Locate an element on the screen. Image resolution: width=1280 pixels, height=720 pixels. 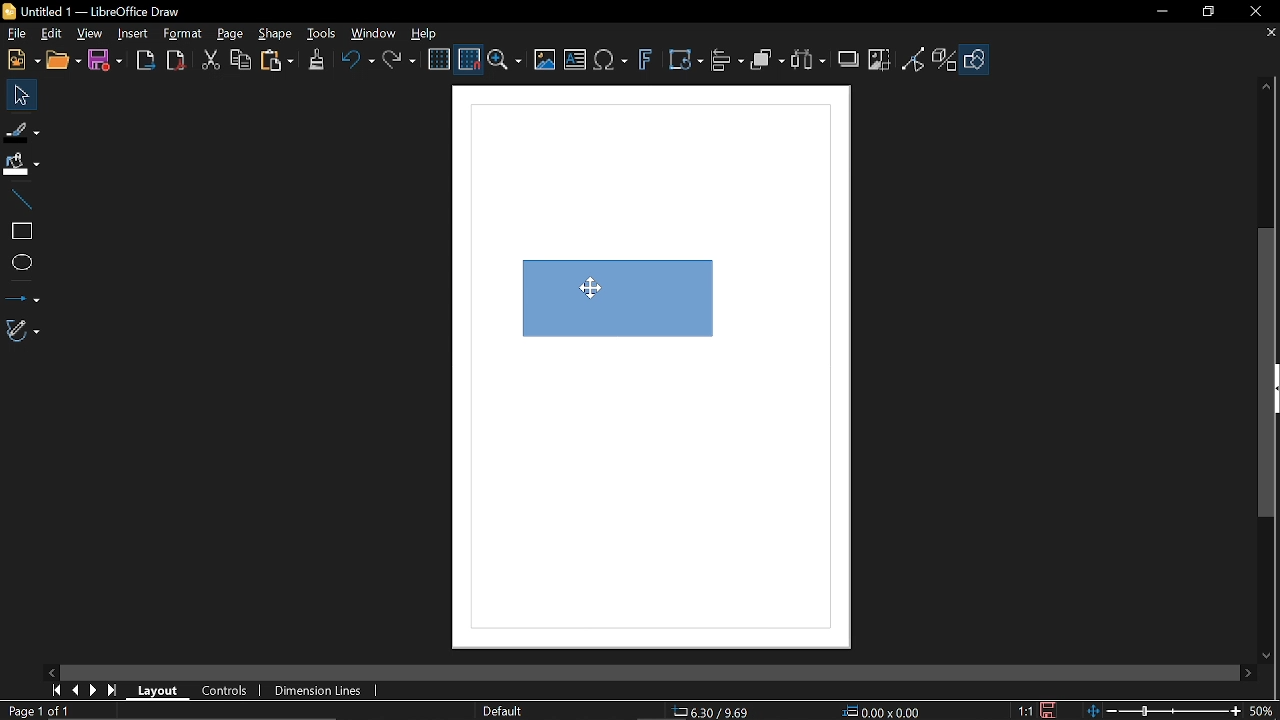
Format is located at coordinates (181, 34).